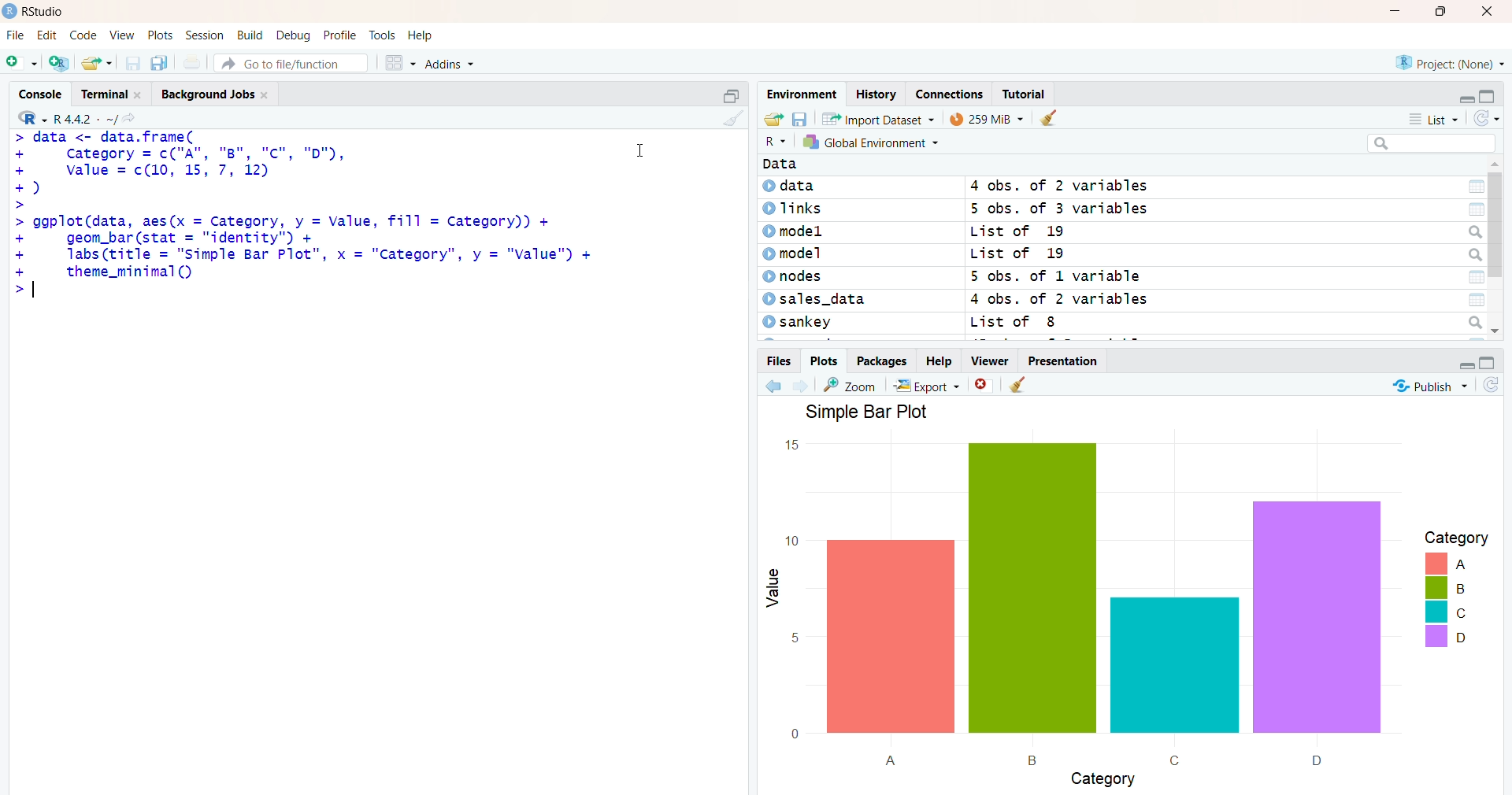 Image resolution: width=1512 pixels, height=795 pixels. Describe the element at coordinates (984, 384) in the screenshot. I see `remove current plot` at that location.